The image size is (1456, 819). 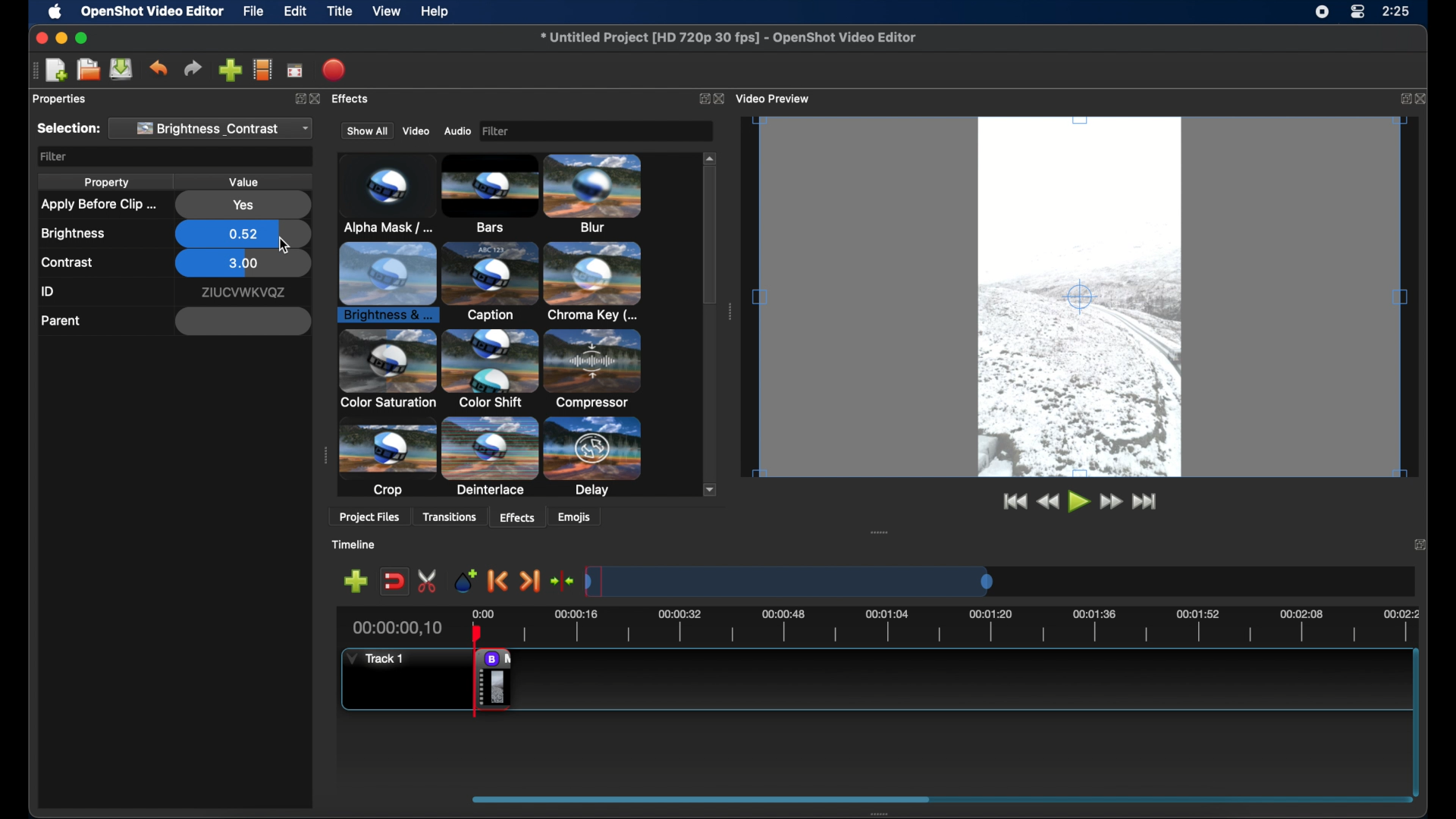 What do you see at coordinates (730, 310) in the screenshot?
I see `drag handle` at bounding box center [730, 310].